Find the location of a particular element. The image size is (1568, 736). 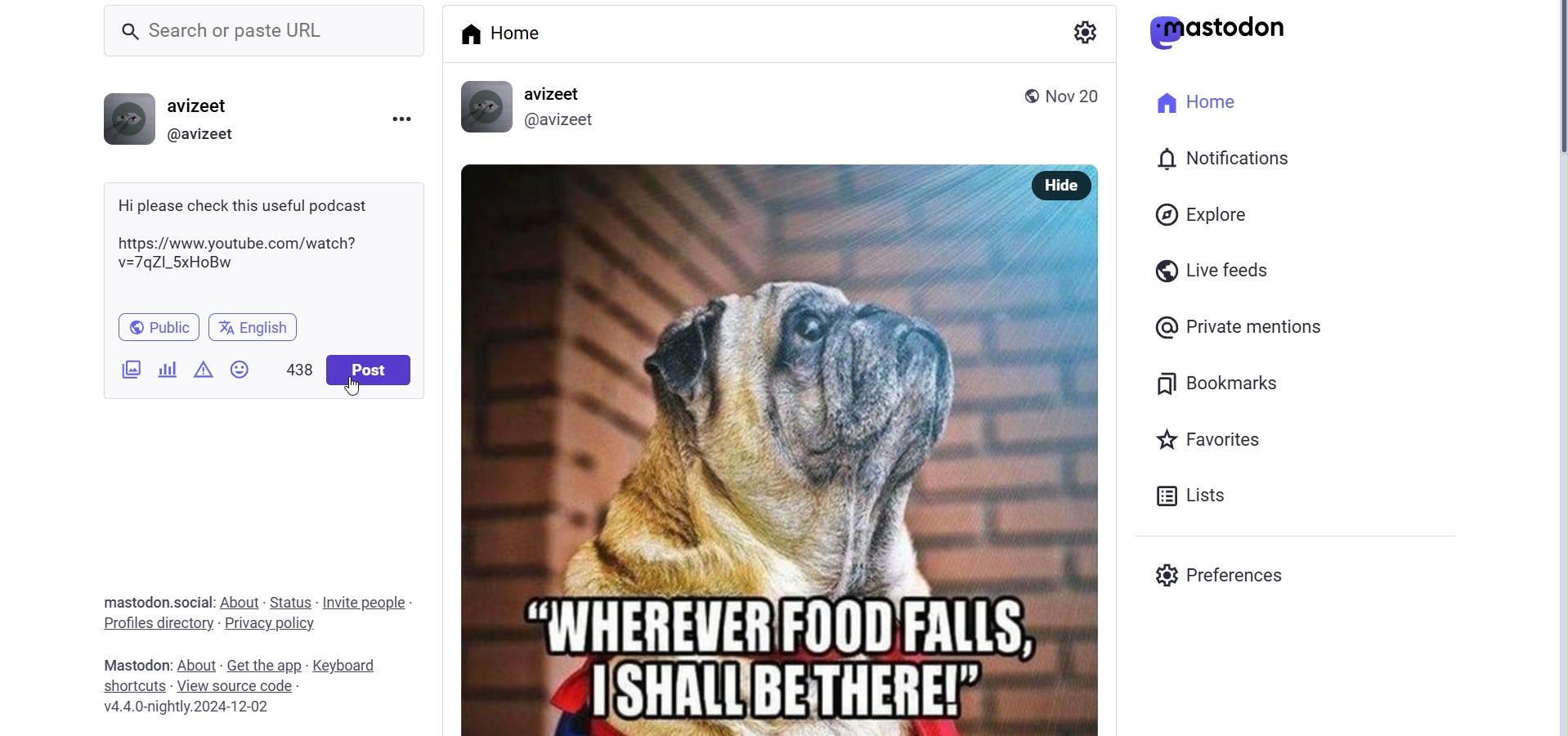

Search or paste URL is located at coordinates (266, 30).